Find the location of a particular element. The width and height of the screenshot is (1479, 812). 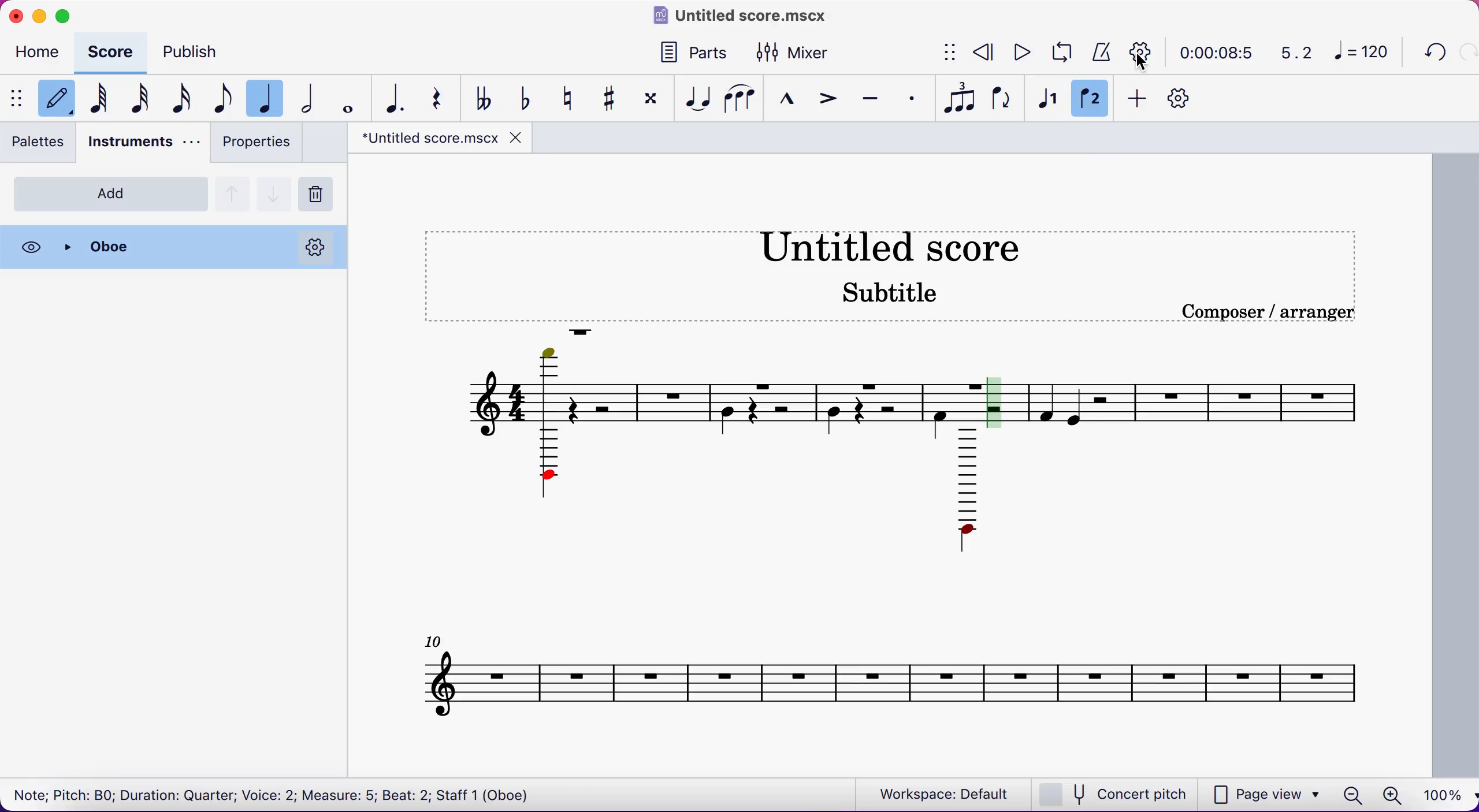

untitled score subtitle composer/arranger 10 is located at coordinates (902, 468).